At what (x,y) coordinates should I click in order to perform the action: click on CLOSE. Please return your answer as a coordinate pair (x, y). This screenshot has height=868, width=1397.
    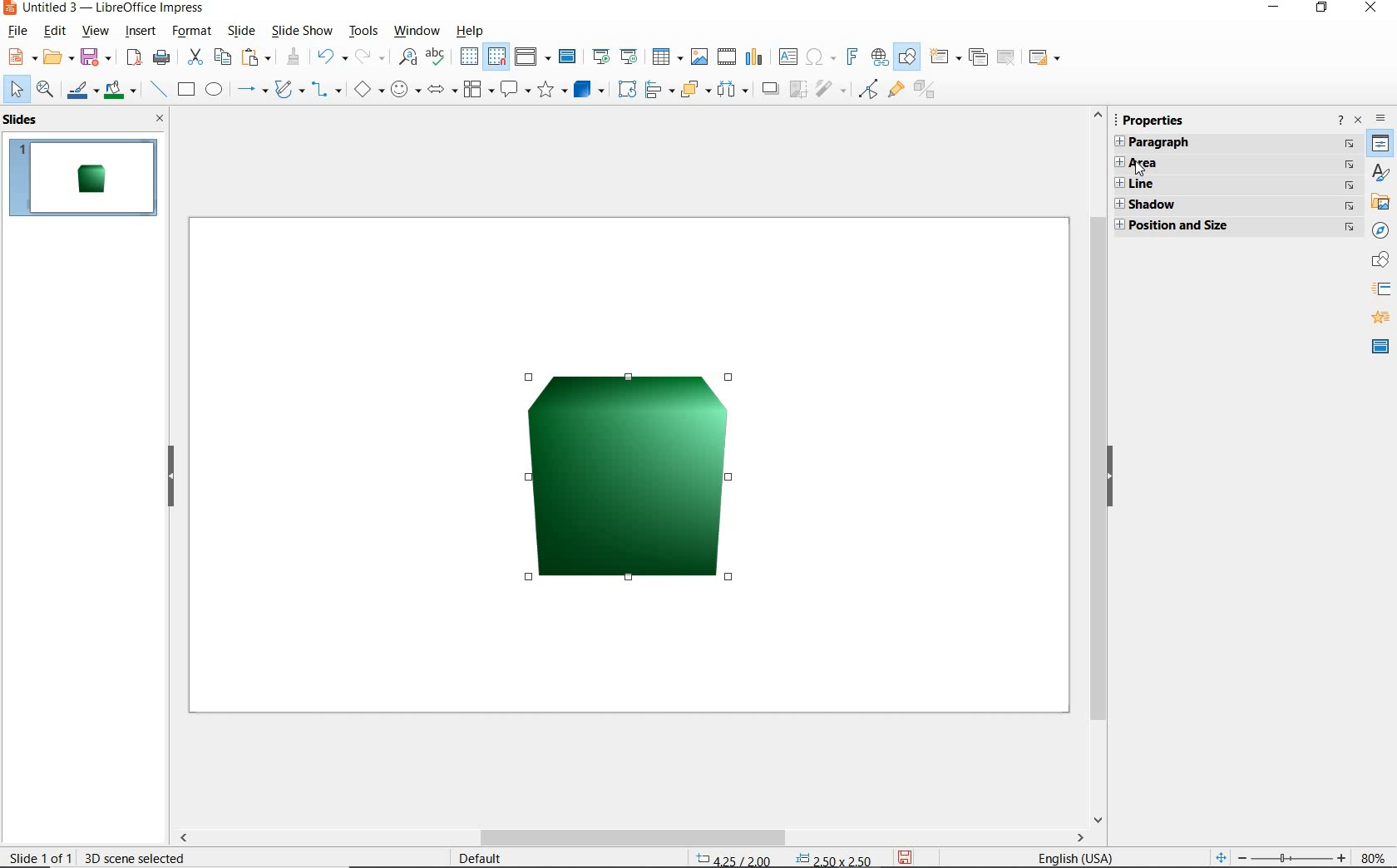
    Looking at the image, I should click on (161, 120).